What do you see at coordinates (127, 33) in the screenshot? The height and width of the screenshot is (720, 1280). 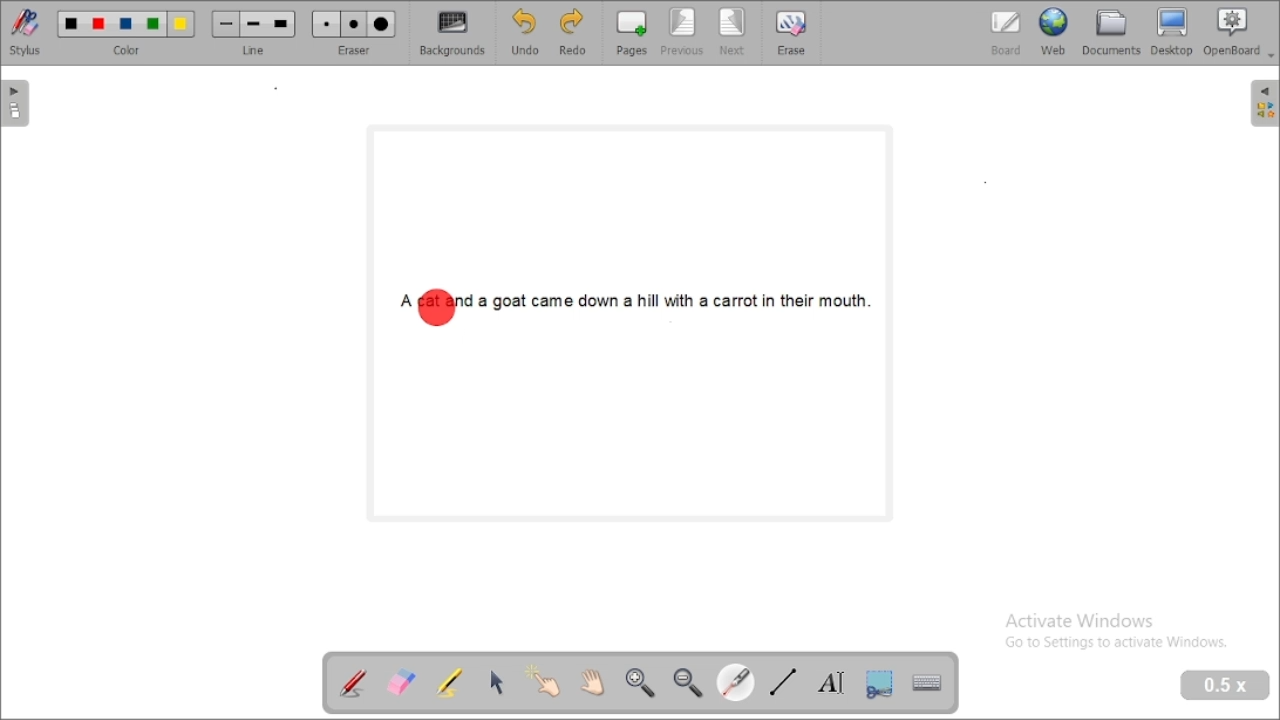 I see `color` at bounding box center [127, 33].